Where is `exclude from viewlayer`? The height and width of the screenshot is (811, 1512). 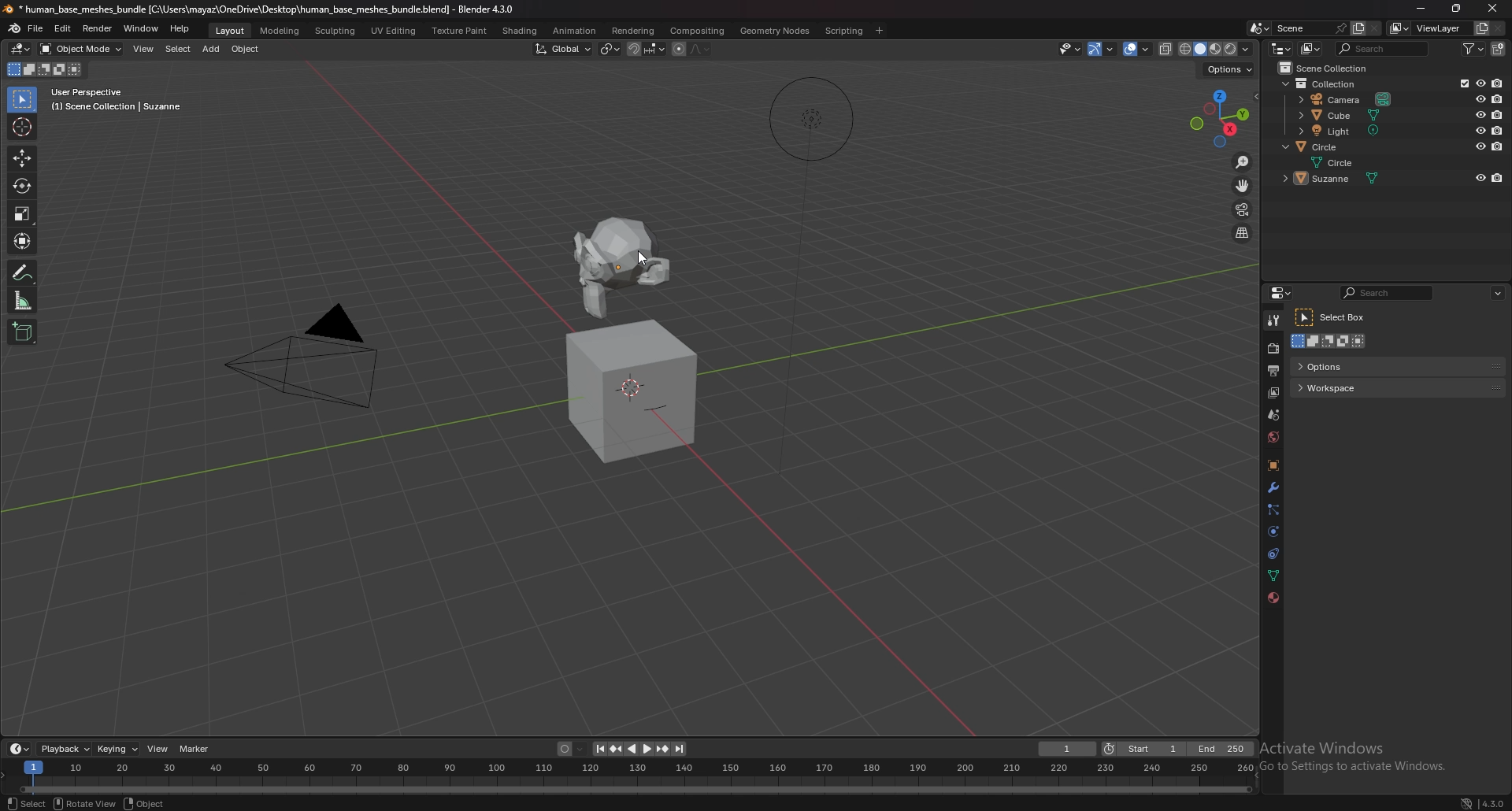 exclude from viewlayer is located at coordinates (1461, 83).